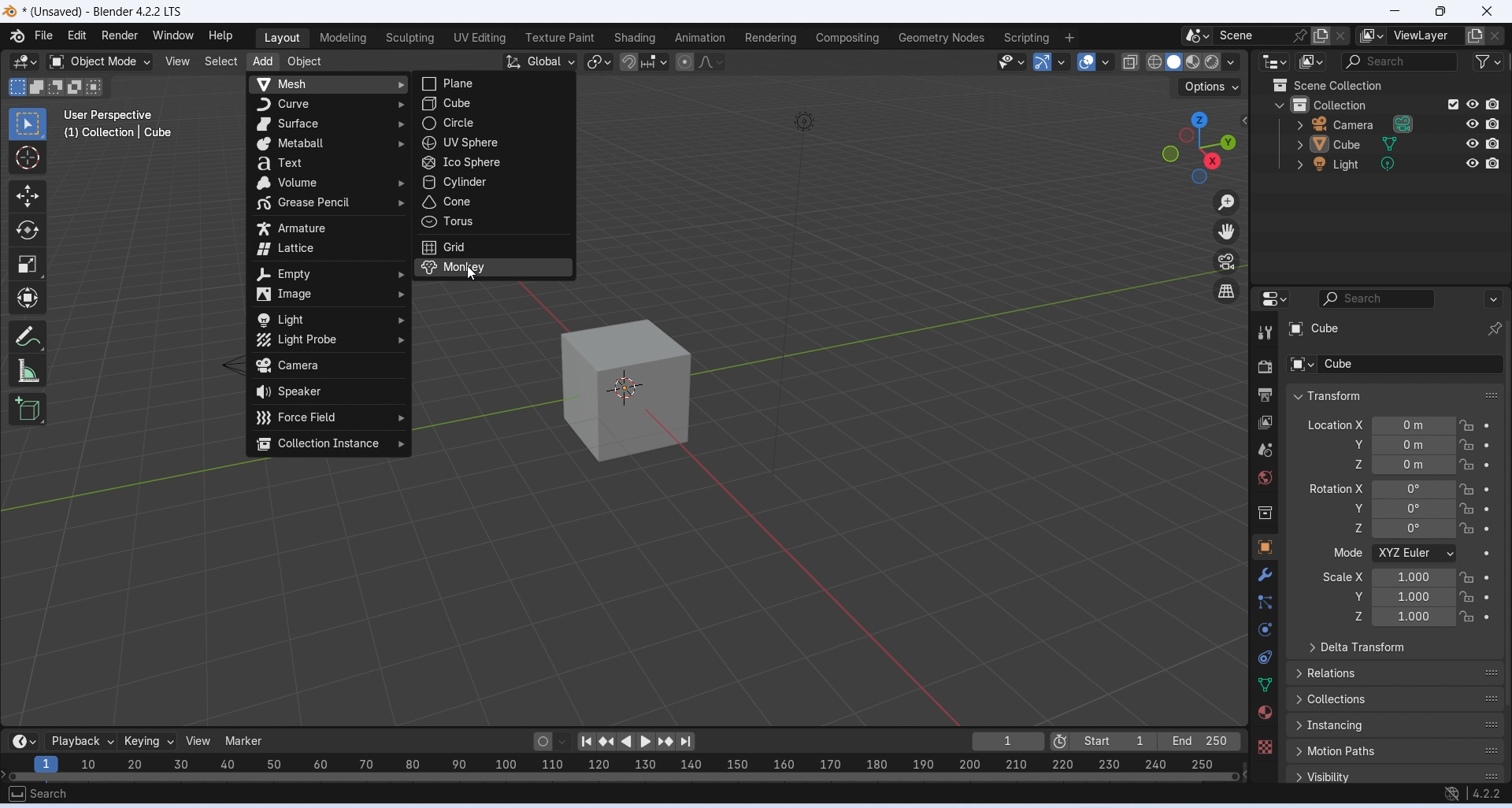  Describe the element at coordinates (495, 123) in the screenshot. I see `circle` at that location.